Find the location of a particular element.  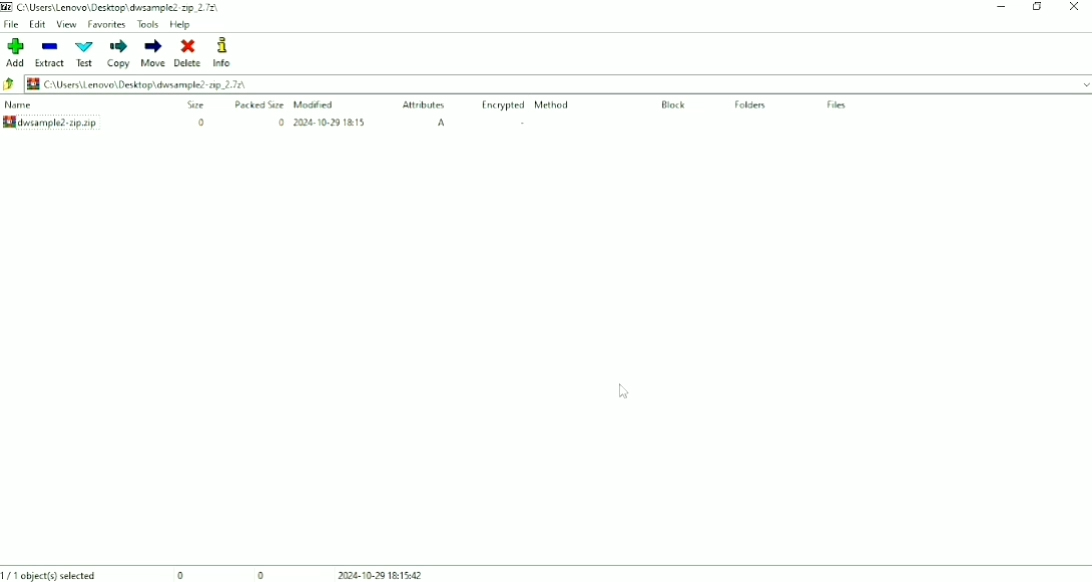

Favorites is located at coordinates (107, 24).